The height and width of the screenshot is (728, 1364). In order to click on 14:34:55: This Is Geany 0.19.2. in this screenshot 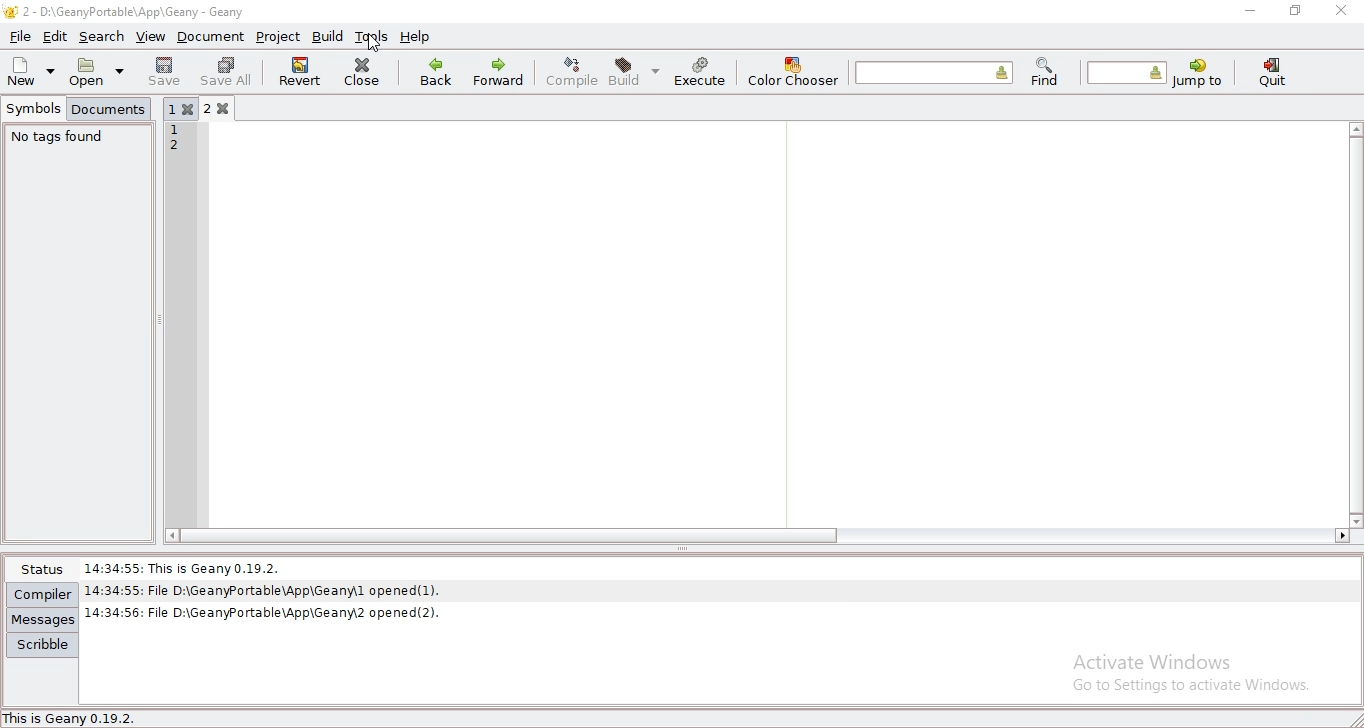, I will do `click(189, 564)`.